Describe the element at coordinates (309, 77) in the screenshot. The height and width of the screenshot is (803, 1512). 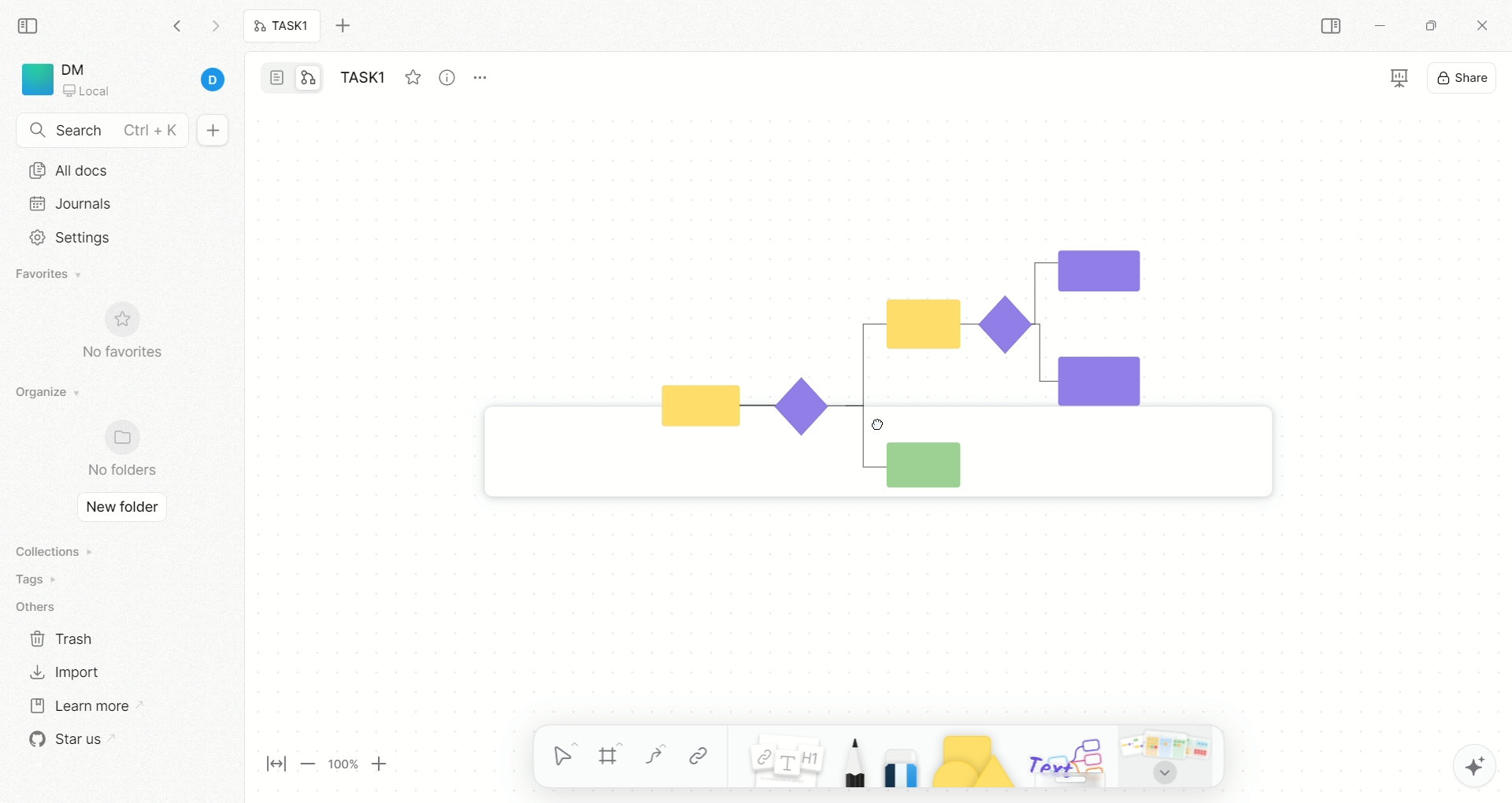
I see `edgeless mode` at that location.